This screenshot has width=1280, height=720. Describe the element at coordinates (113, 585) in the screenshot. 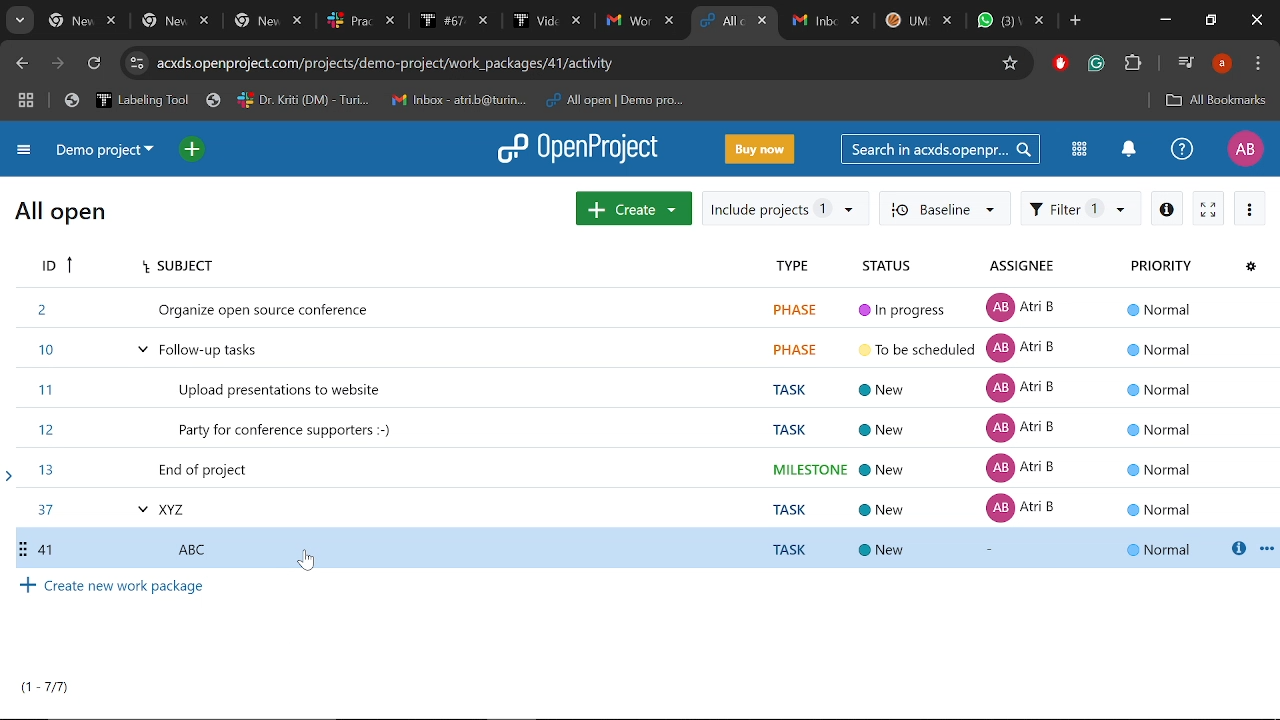

I see `Create new work package` at that location.